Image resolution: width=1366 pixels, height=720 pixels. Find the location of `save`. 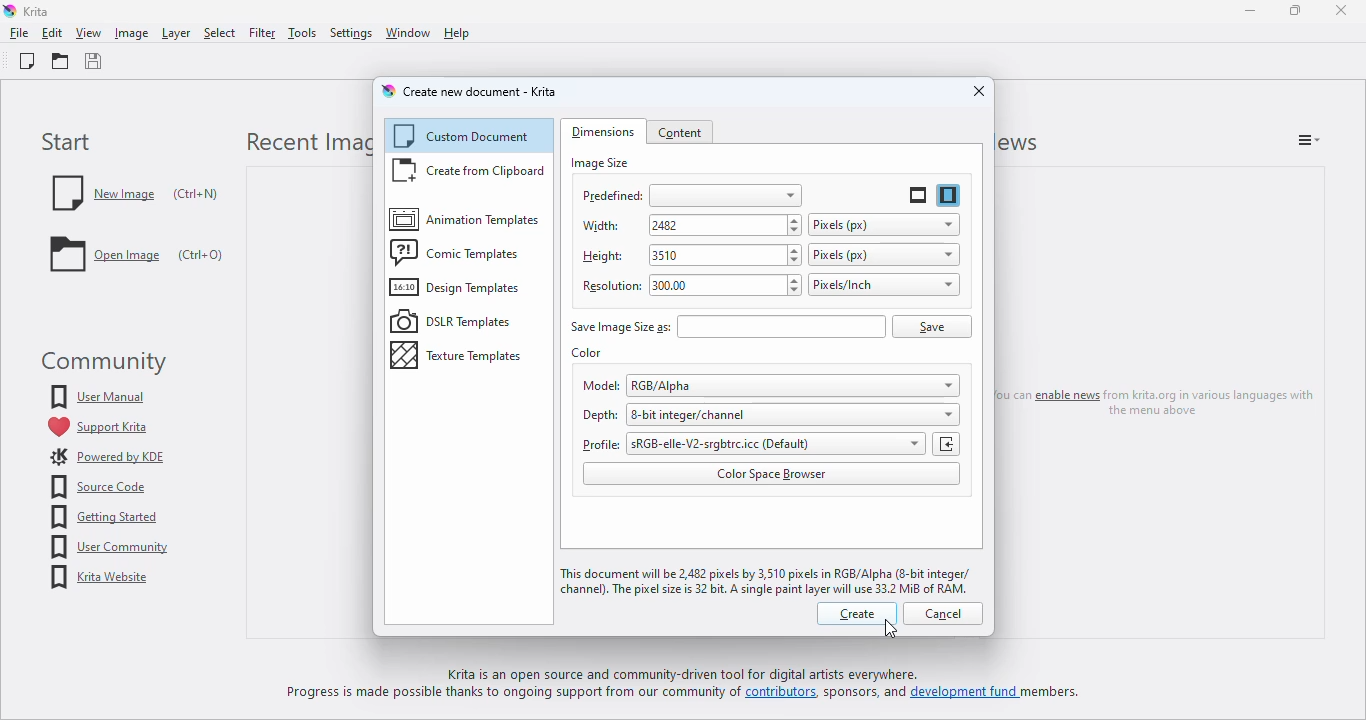

save is located at coordinates (931, 327).